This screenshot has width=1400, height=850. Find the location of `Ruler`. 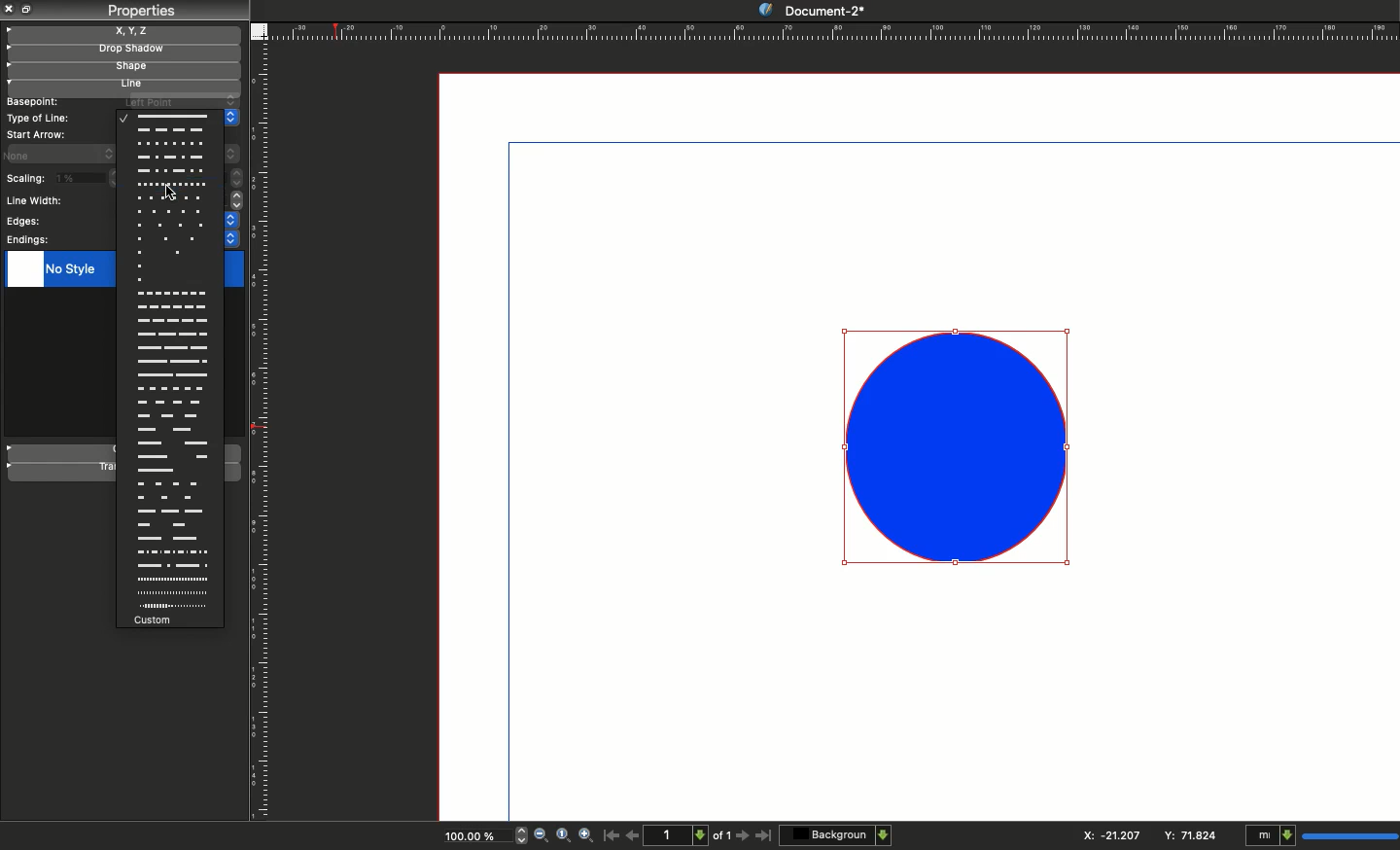

Ruler is located at coordinates (833, 31).